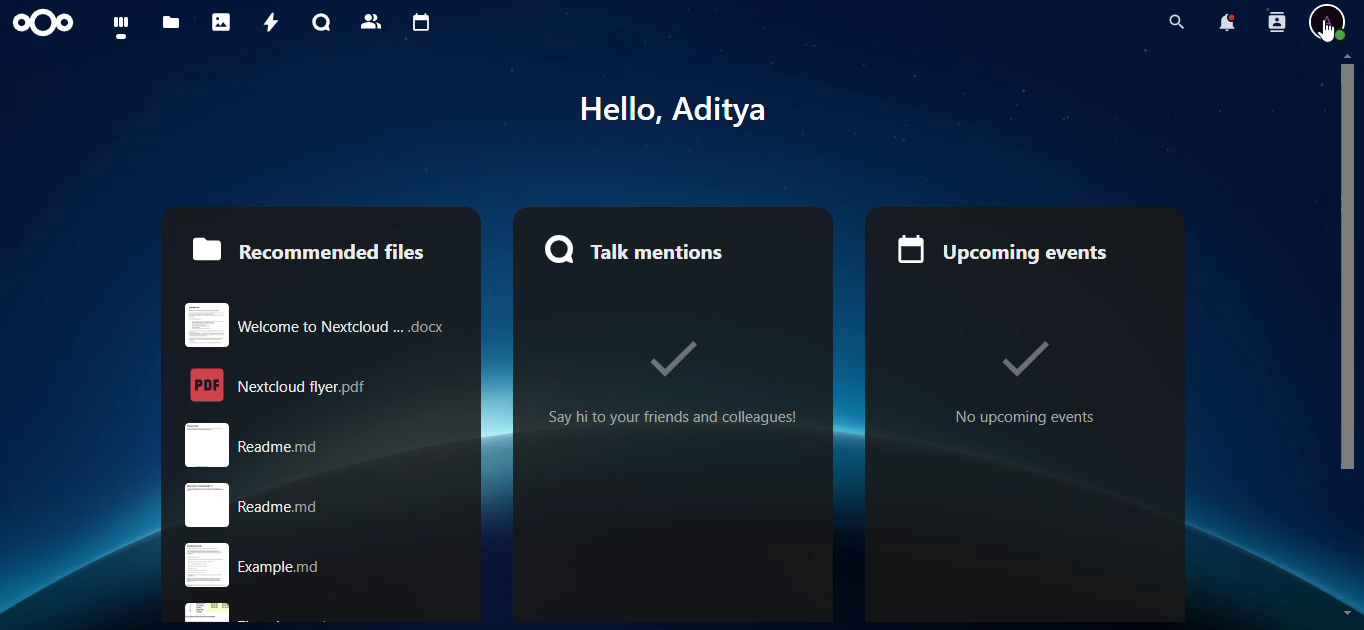 This screenshot has height=630, width=1364. What do you see at coordinates (307, 248) in the screenshot?
I see `recommended files` at bounding box center [307, 248].